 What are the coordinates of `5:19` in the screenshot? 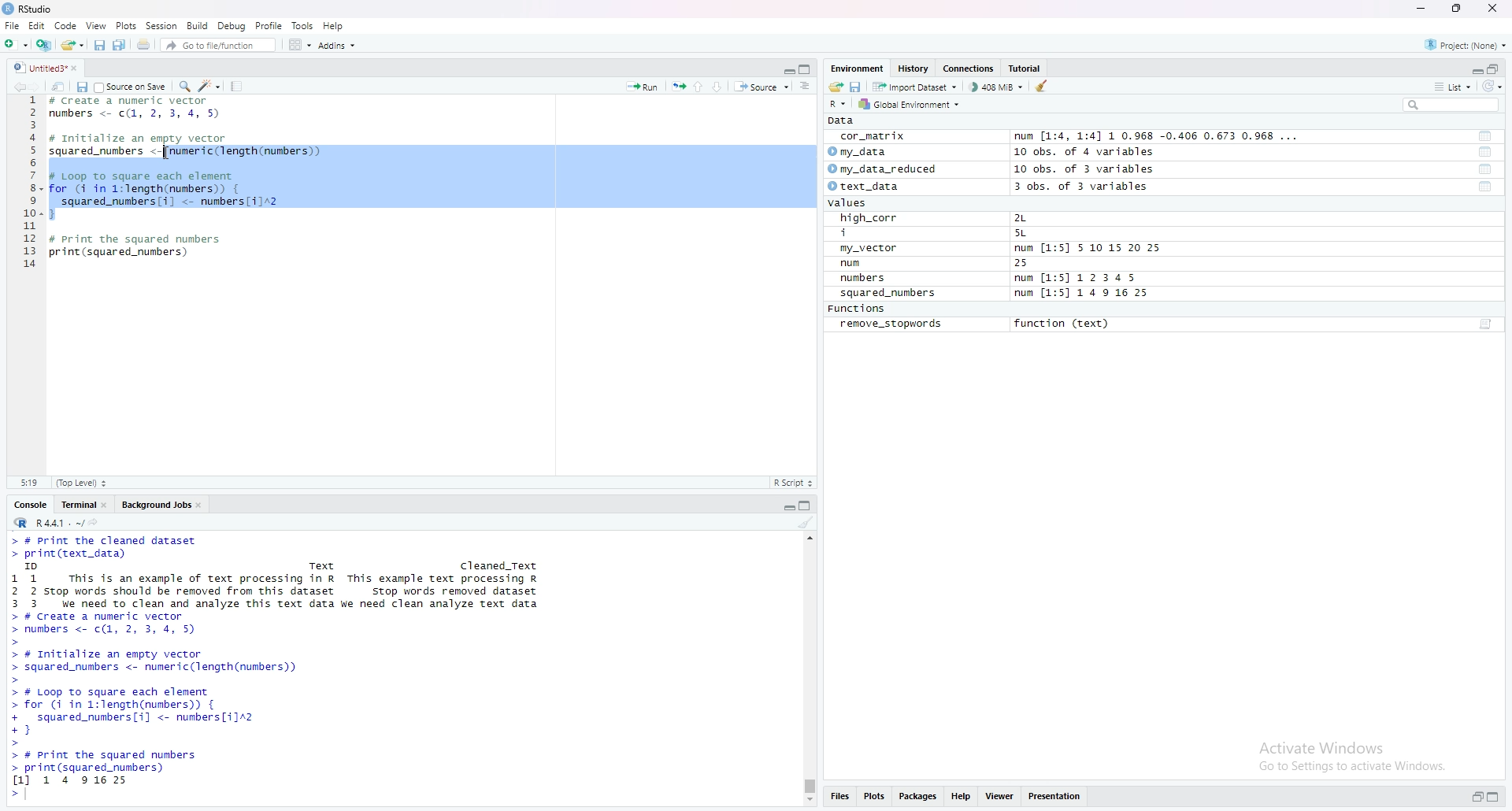 It's located at (28, 482).